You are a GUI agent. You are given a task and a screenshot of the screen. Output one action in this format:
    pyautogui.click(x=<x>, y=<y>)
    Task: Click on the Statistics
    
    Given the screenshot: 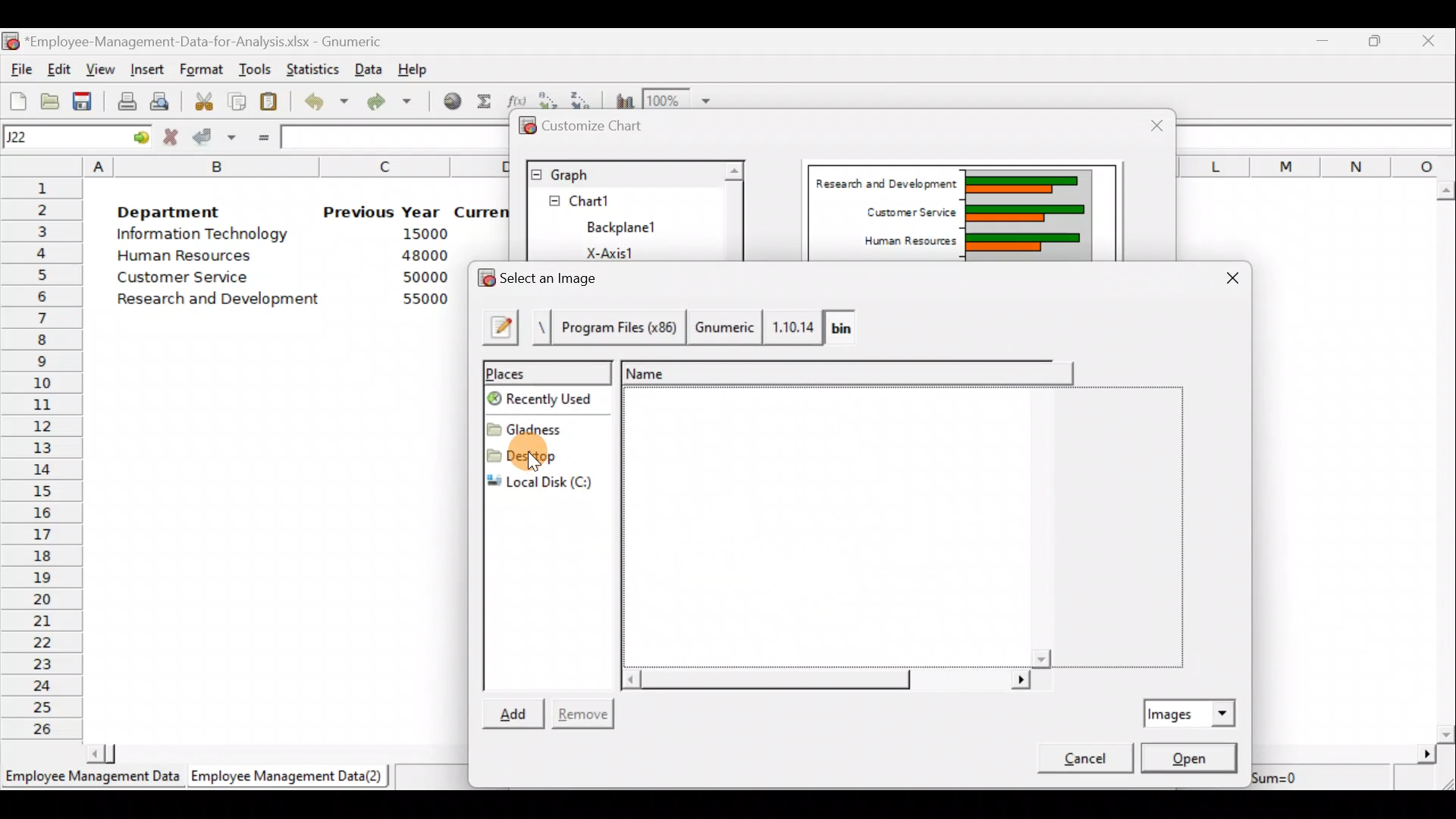 What is the action you would take?
    pyautogui.click(x=314, y=65)
    